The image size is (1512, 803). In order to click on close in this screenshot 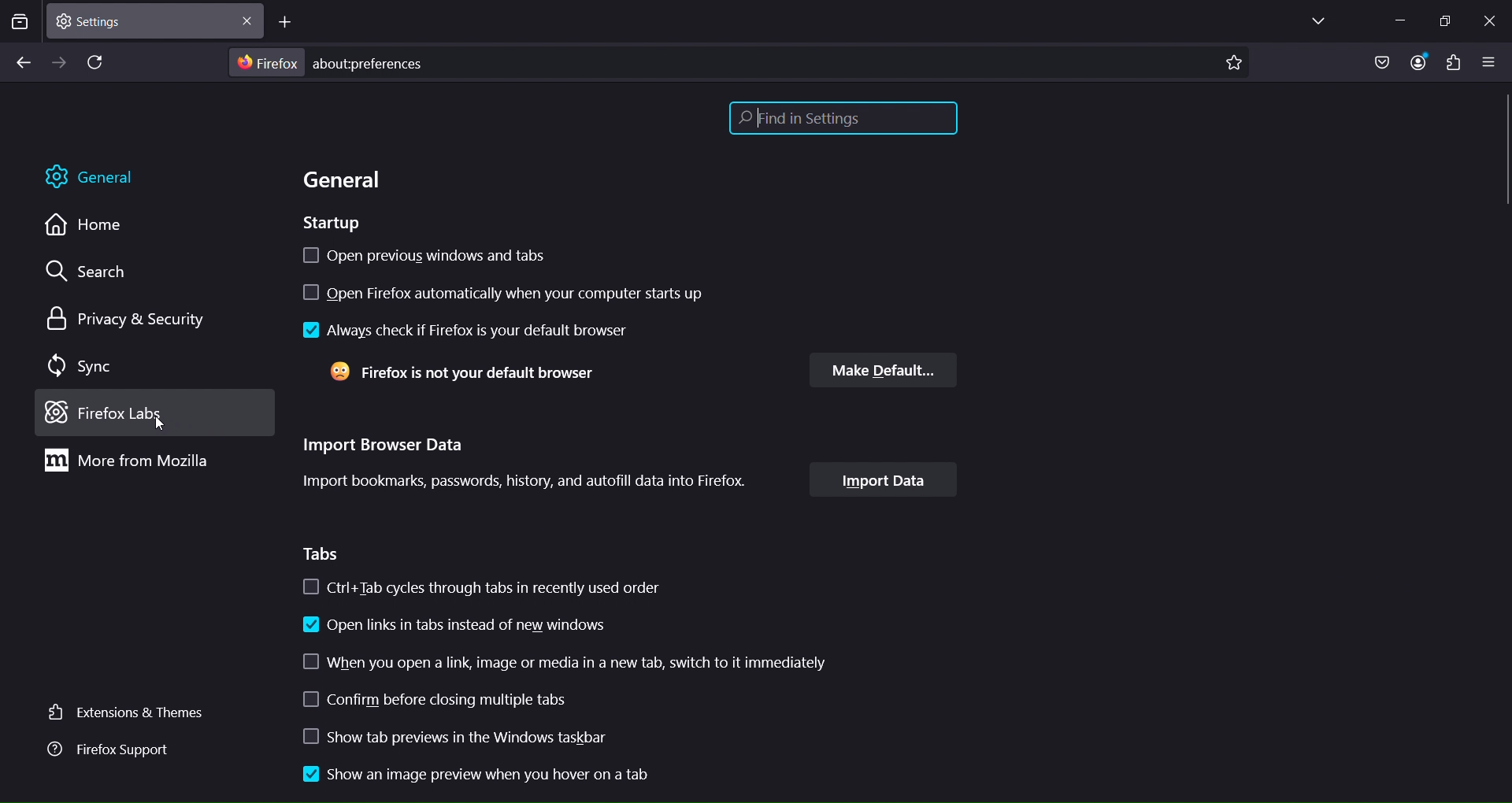, I will do `click(246, 24)`.